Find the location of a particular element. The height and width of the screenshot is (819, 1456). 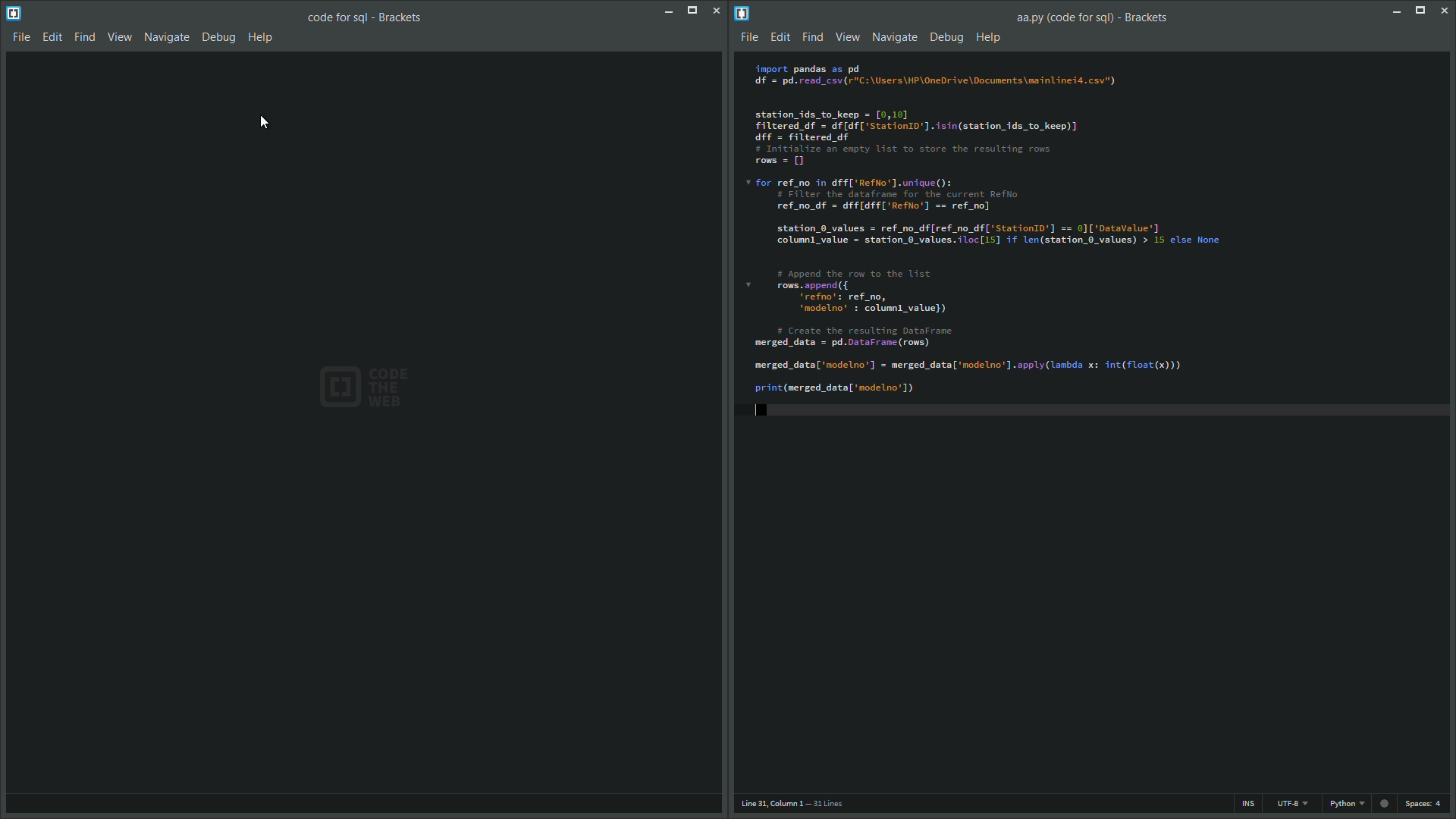

cursor on code area is located at coordinates (266, 122).